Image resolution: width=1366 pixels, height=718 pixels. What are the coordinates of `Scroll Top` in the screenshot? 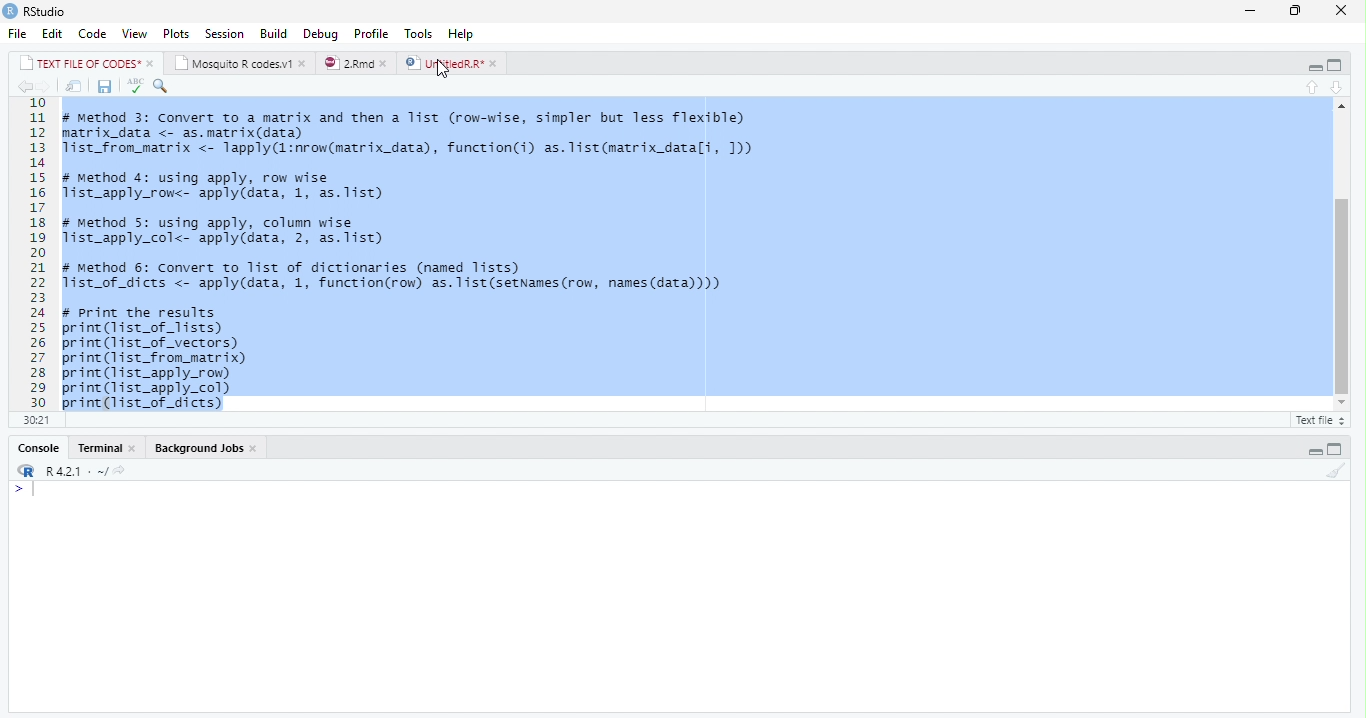 It's located at (1339, 106).